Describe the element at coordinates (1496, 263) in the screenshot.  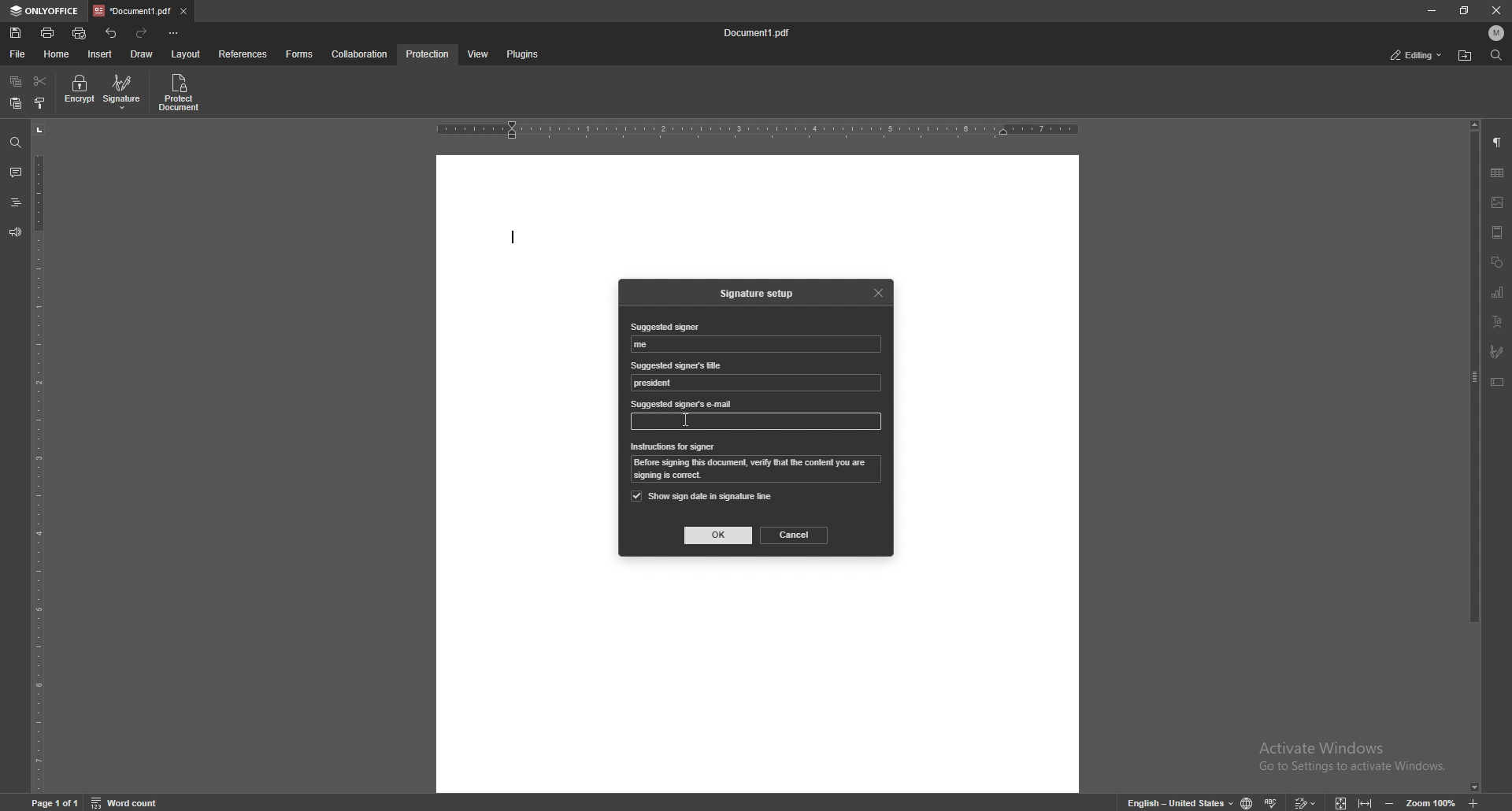
I see `shapes` at that location.